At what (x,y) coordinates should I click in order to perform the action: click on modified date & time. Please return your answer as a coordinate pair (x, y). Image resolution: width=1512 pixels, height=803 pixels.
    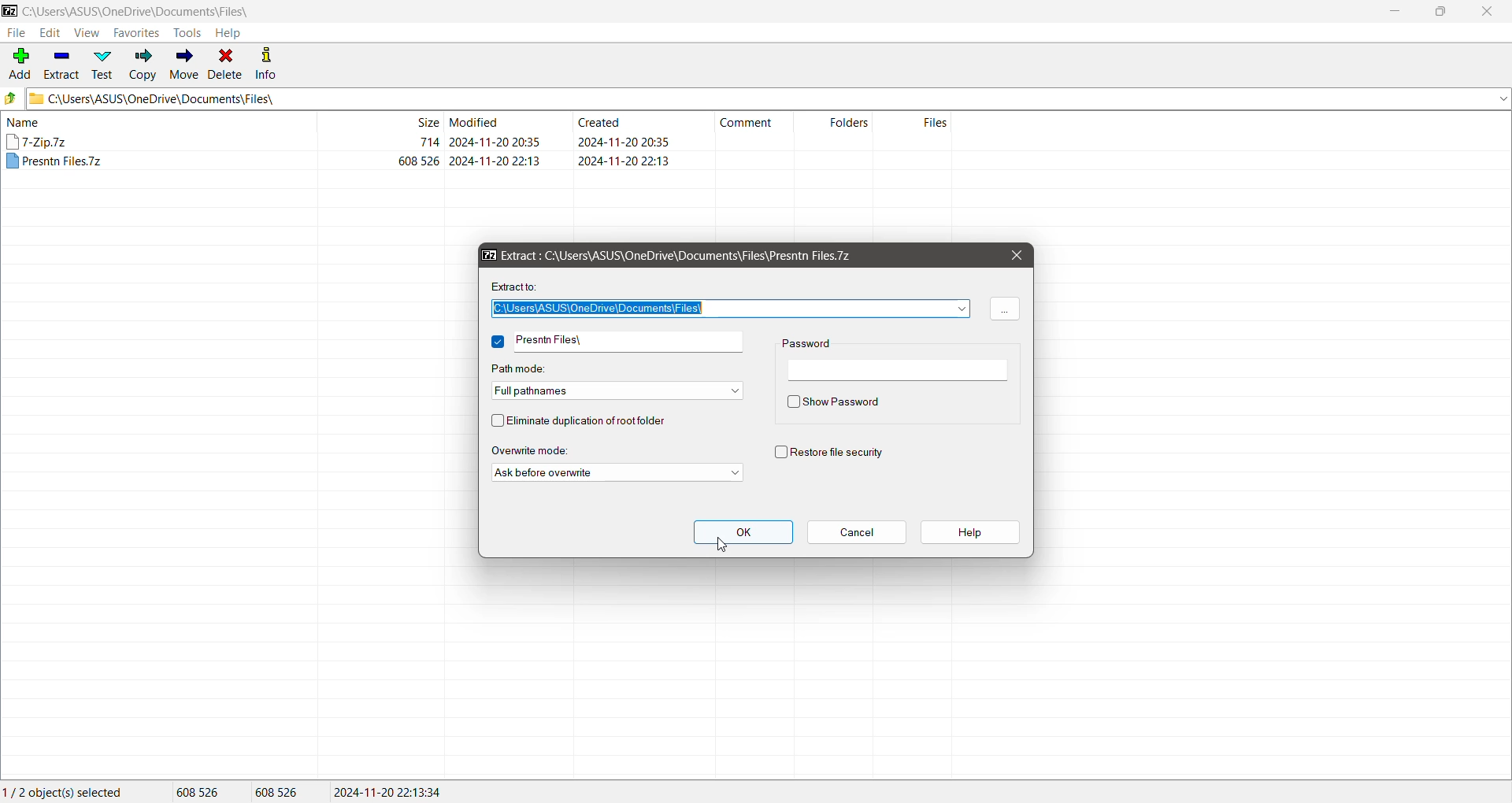
    Looking at the image, I should click on (495, 142).